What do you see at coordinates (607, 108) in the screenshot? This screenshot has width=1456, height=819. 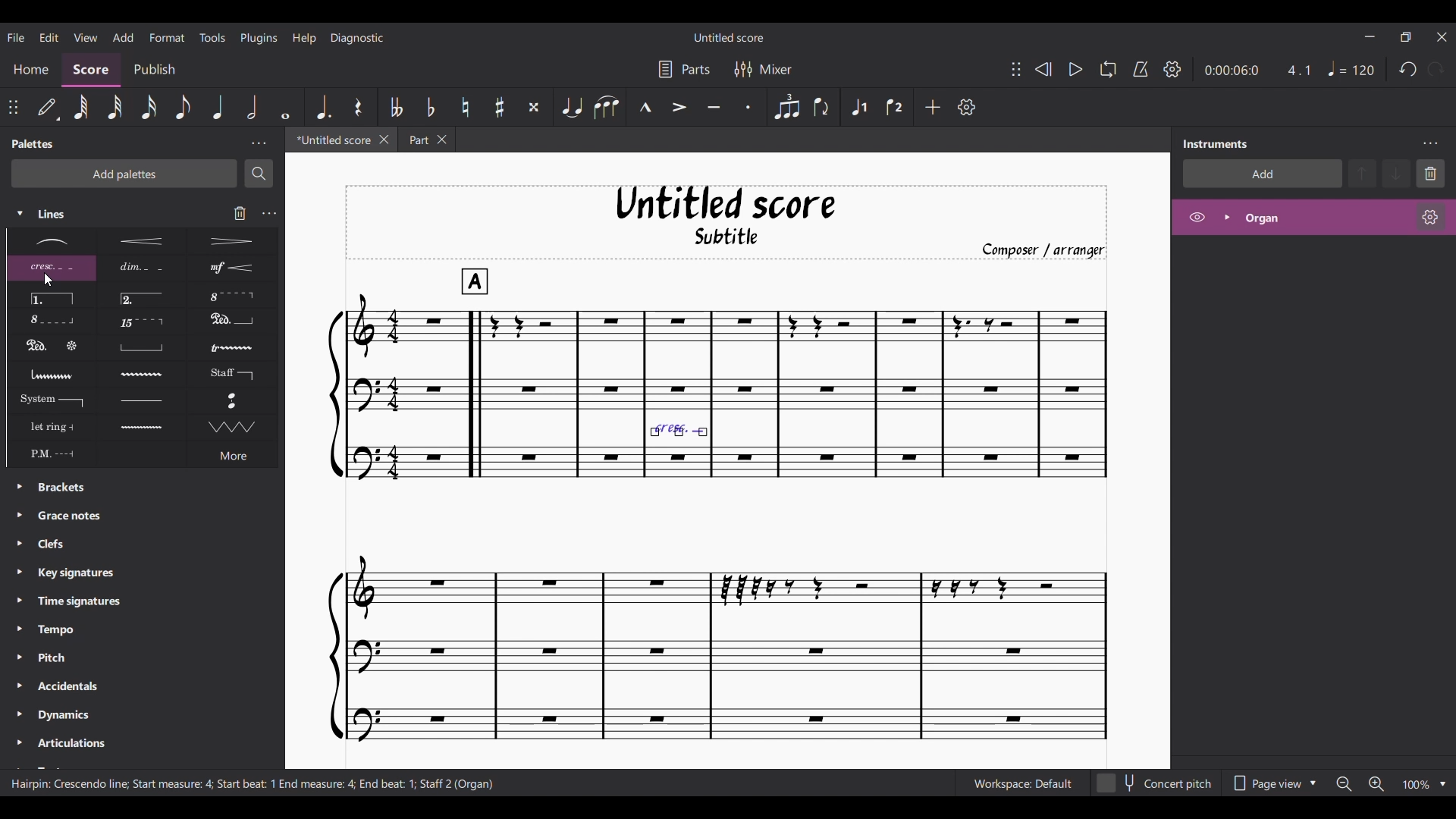 I see `Slur` at bounding box center [607, 108].